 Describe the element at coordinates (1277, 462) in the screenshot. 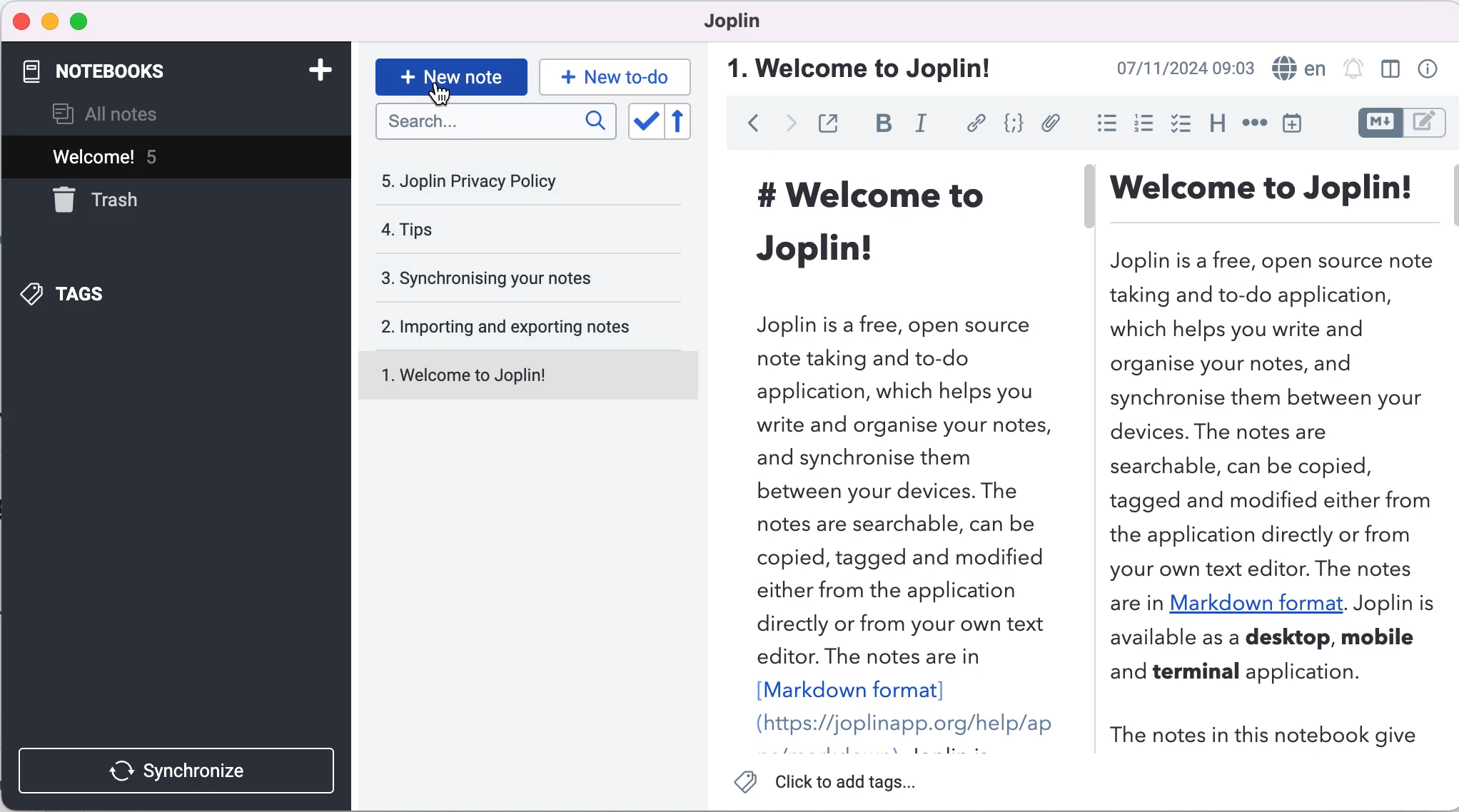

I see `Welcome to Joplin!
Joplin is a free, open source note
taking and to-do application,
which helps you write and
organise your notes, and
synchronise them between your
devices. The notes are
searchable, can be copied,
tagged and modified either from
the application directly or from
your own text editor. The notes
are in Markdown format. Joplin is
available as a desktop, mobile
and terminal application.

The notes in this notebook give` at that location.